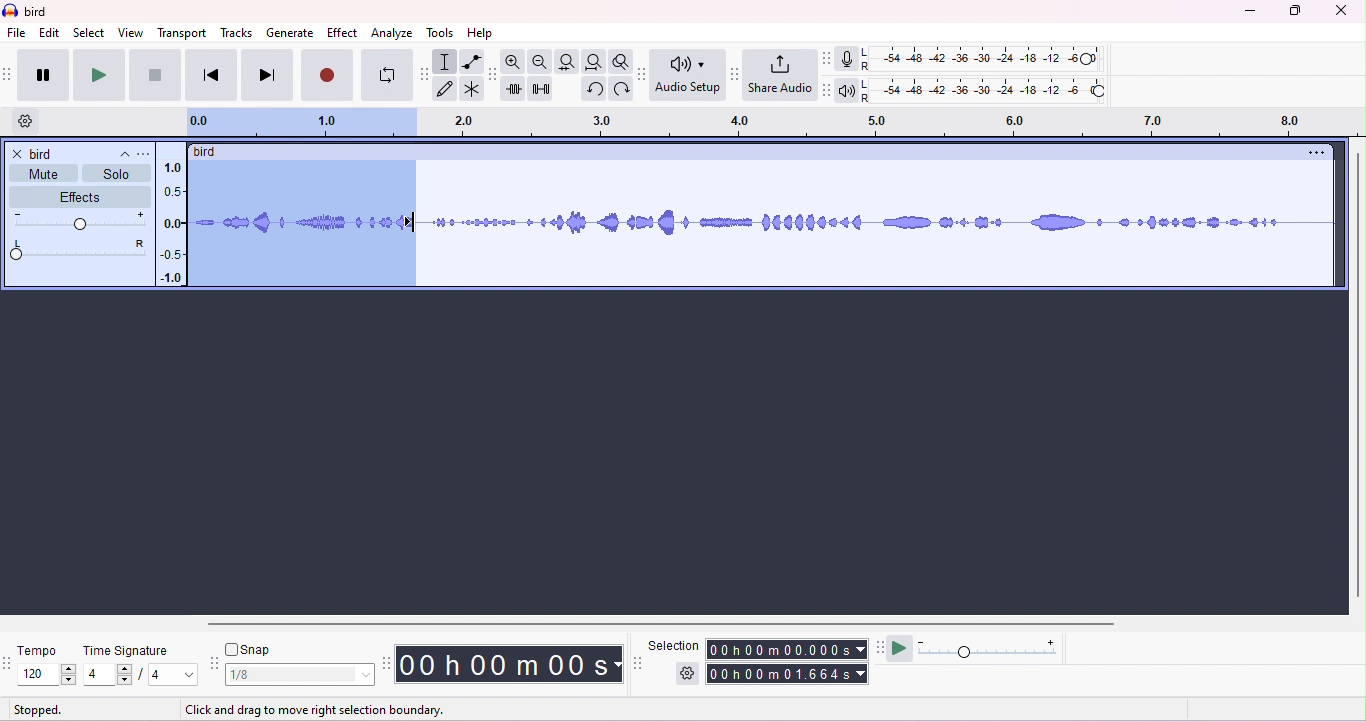 The width and height of the screenshot is (1366, 722). I want to click on time signature toolbar, so click(9, 659).